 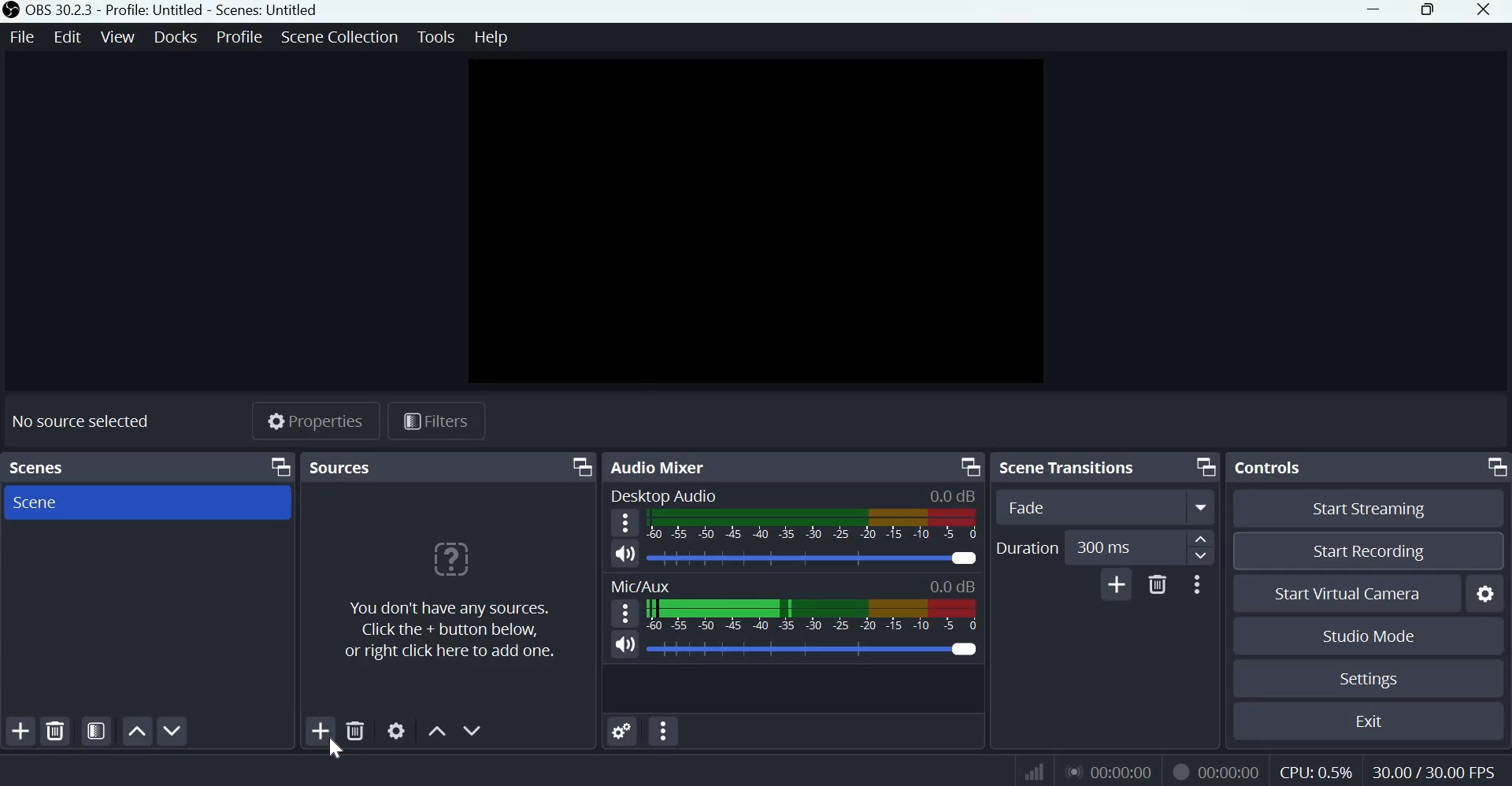 What do you see at coordinates (1158, 584) in the screenshot?
I see `Delete Transition` at bounding box center [1158, 584].